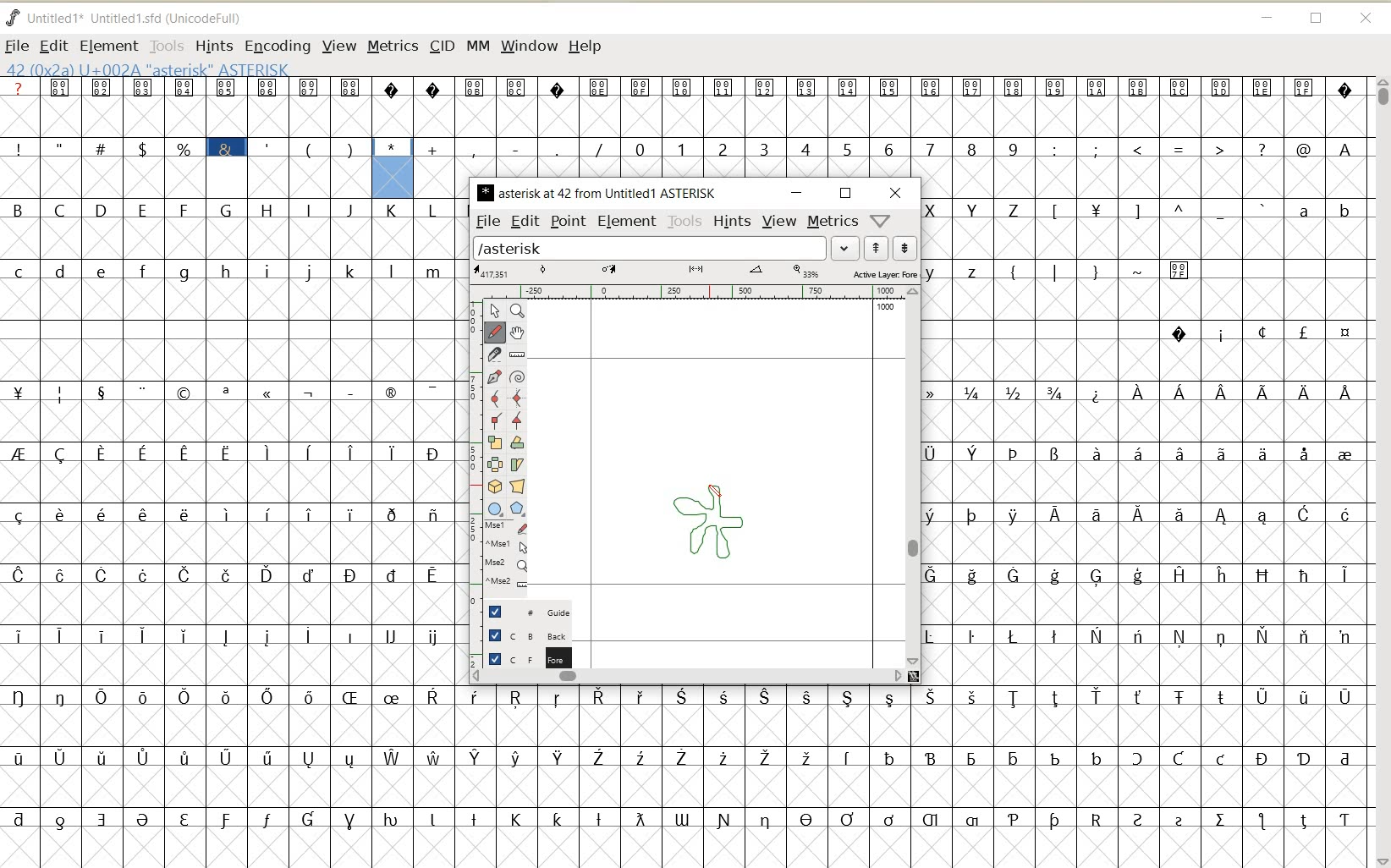 This screenshot has height=868, width=1391. Describe the element at coordinates (477, 47) in the screenshot. I see `MM` at that location.